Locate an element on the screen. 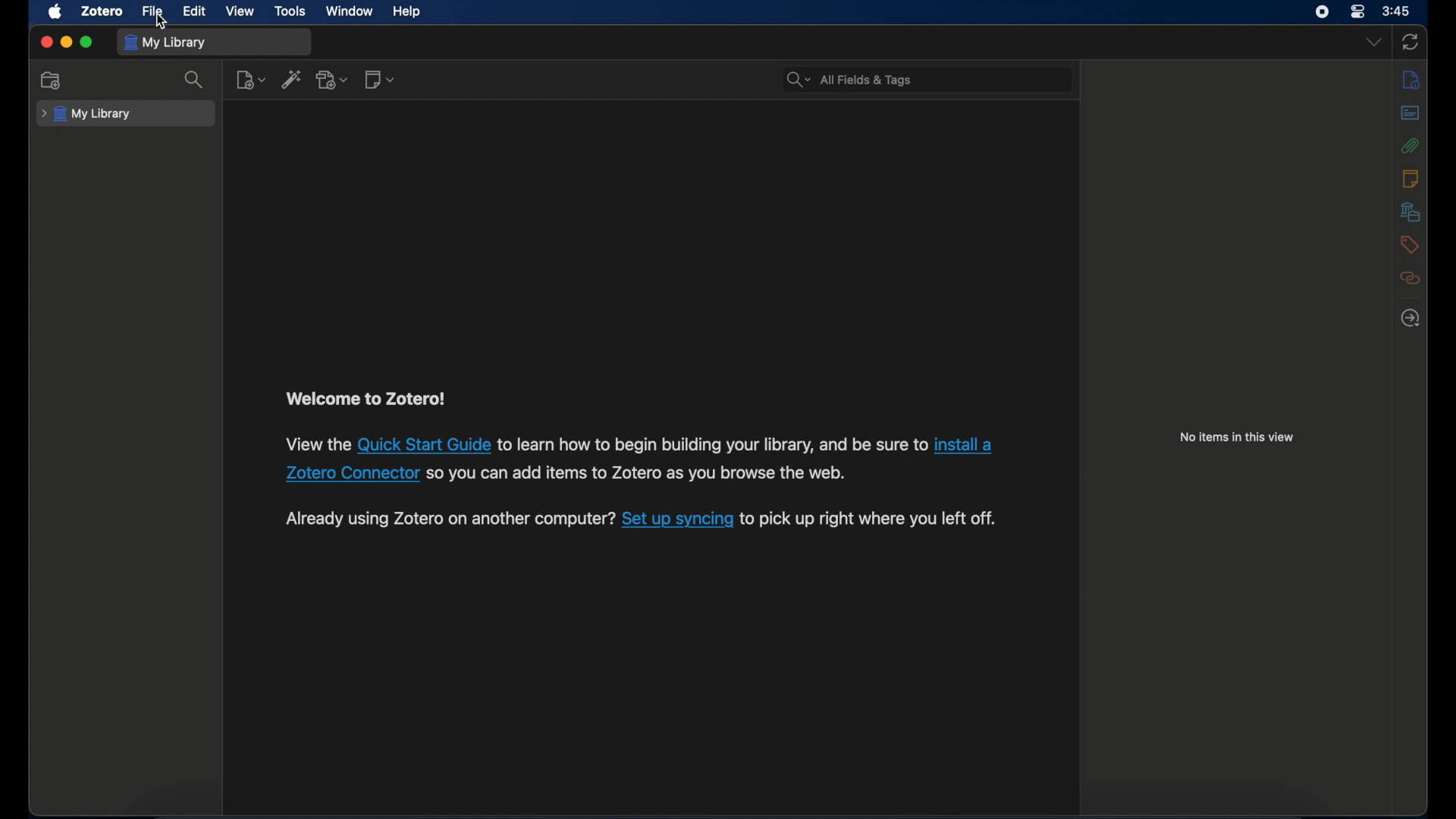 The image size is (1456, 819). syncing instruction is located at coordinates (638, 520).